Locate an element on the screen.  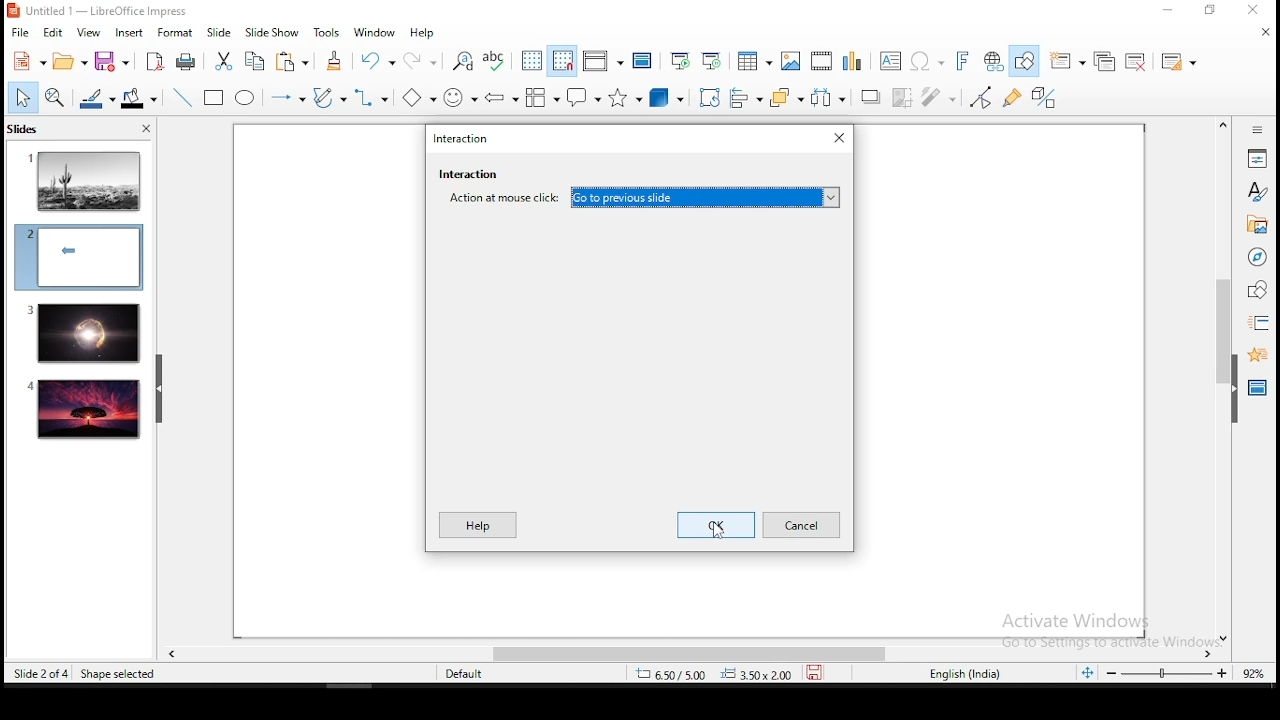
start from first slide is located at coordinates (680, 61).